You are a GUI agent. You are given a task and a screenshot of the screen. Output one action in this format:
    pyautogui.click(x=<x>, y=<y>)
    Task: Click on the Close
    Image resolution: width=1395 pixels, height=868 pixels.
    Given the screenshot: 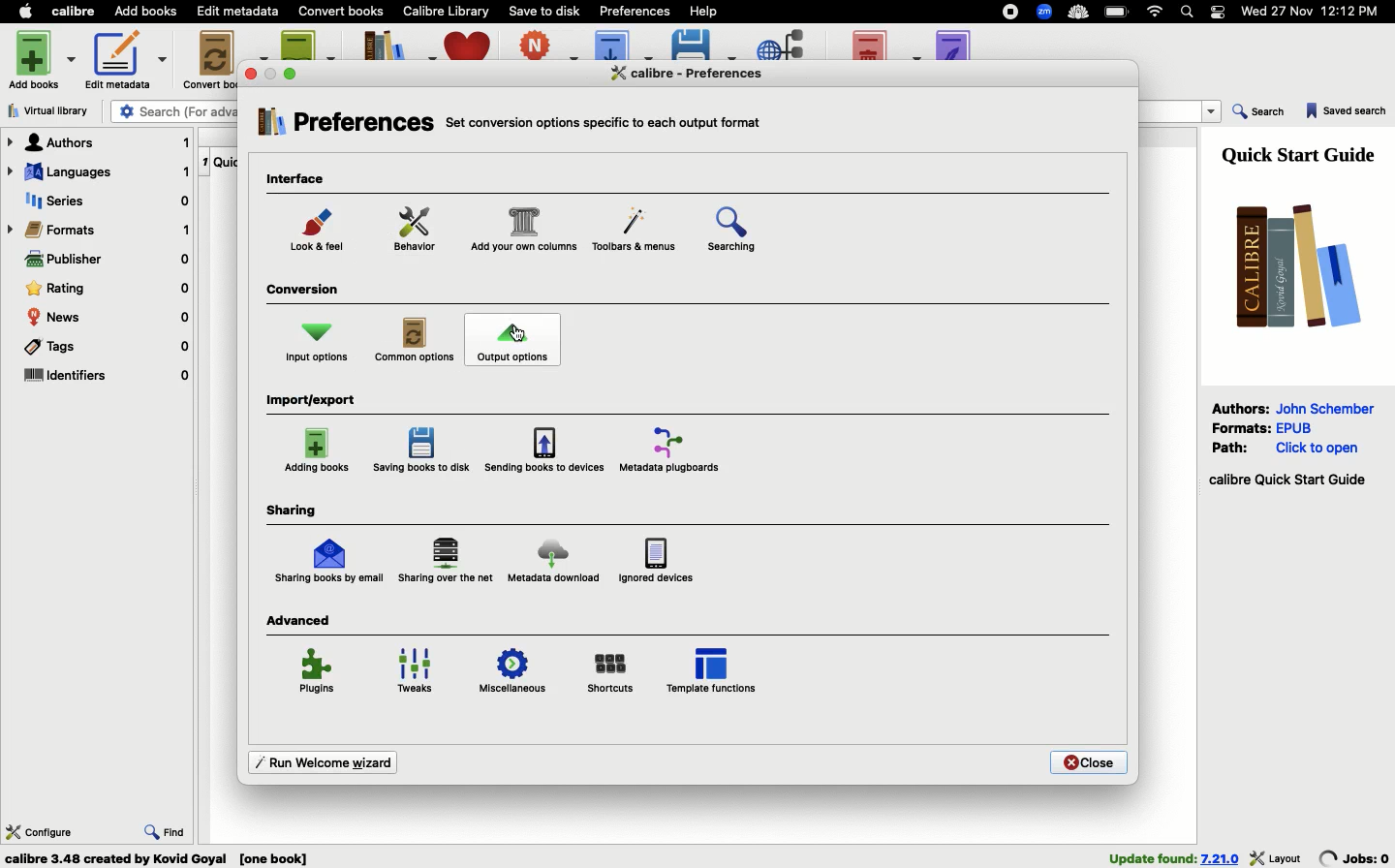 What is the action you would take?
    pyautogui.click(x=1088, y=762)
    